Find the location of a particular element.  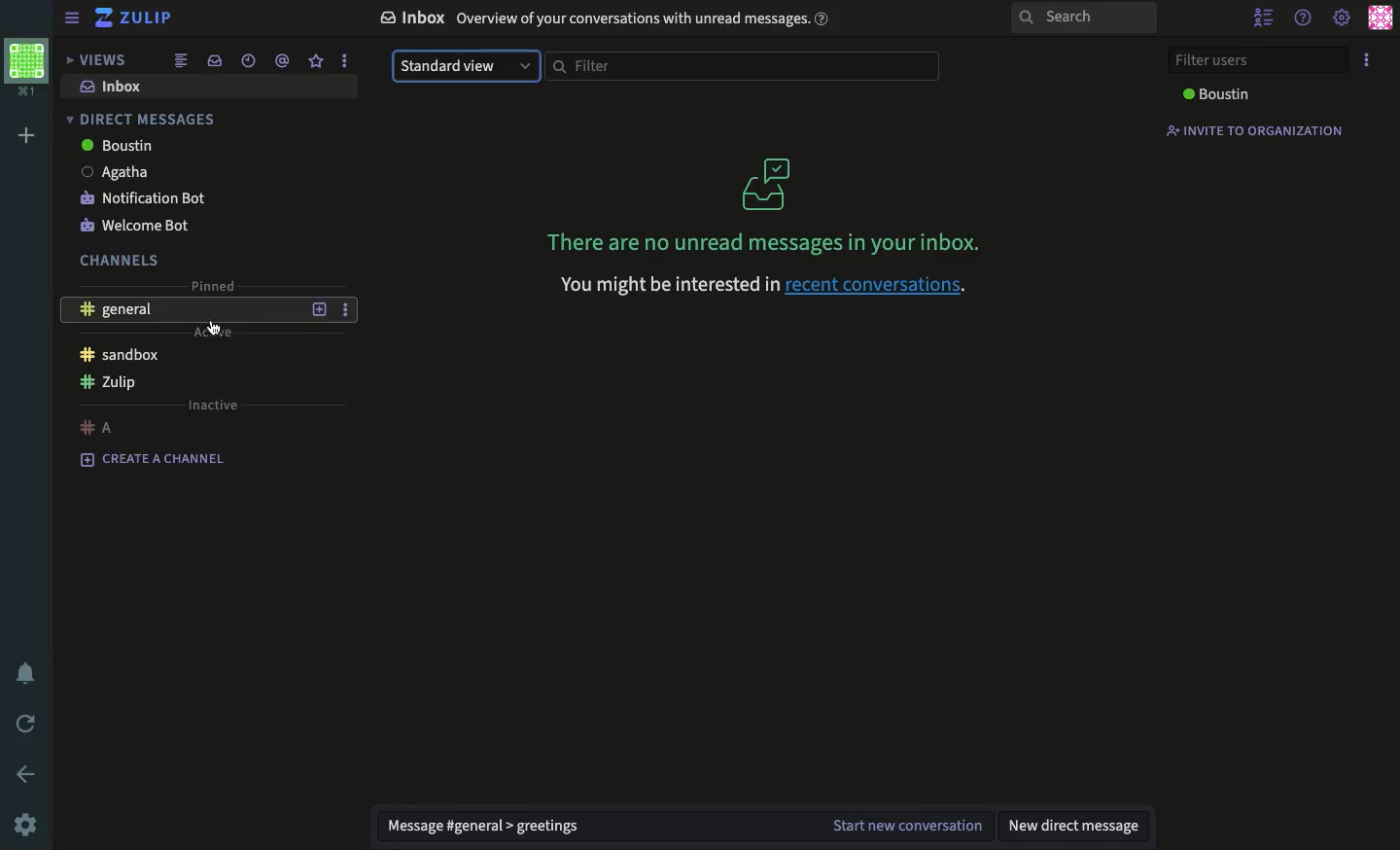

create a channel is located at coordinates (158, 462).